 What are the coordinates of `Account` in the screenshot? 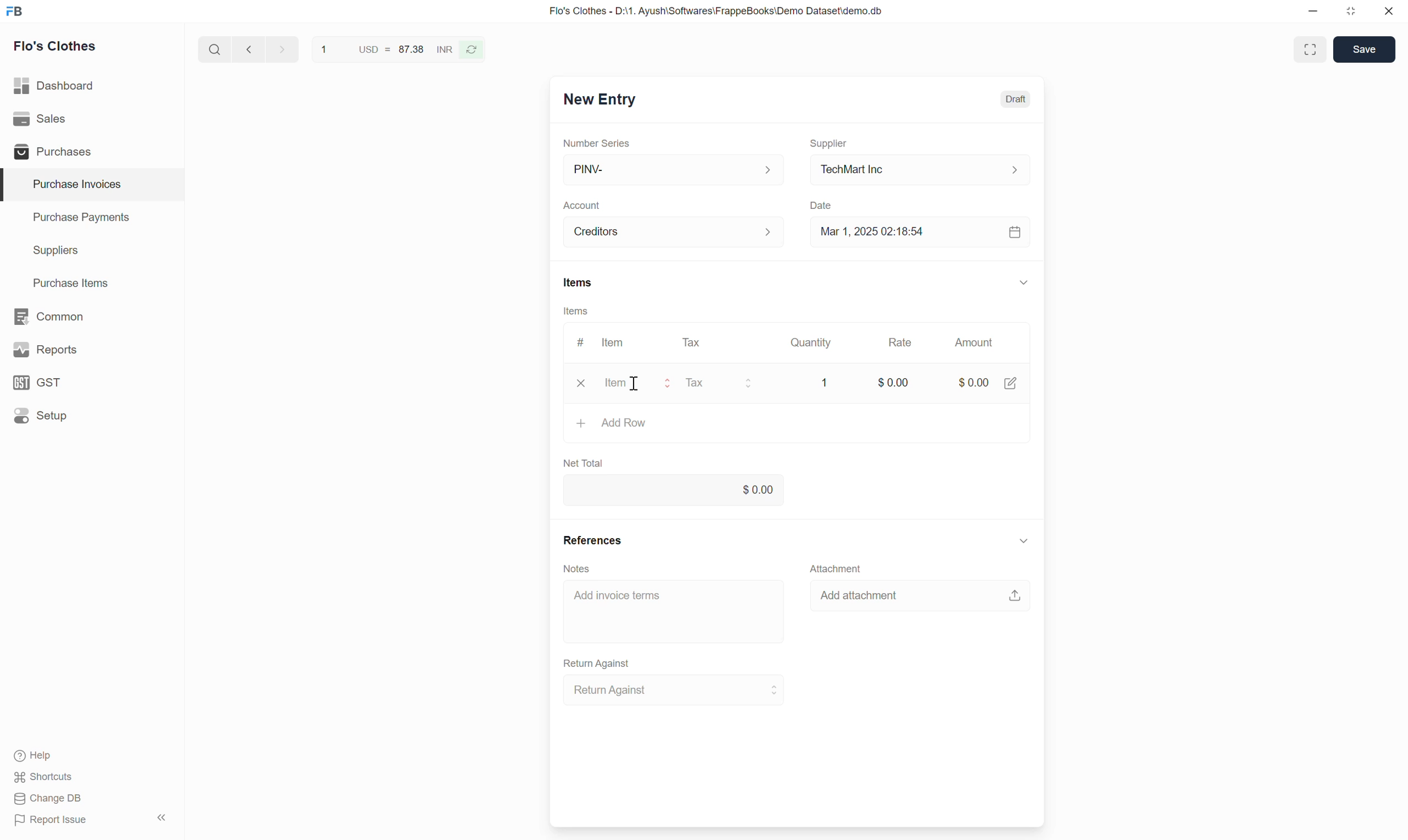 It's located at (581, 206).